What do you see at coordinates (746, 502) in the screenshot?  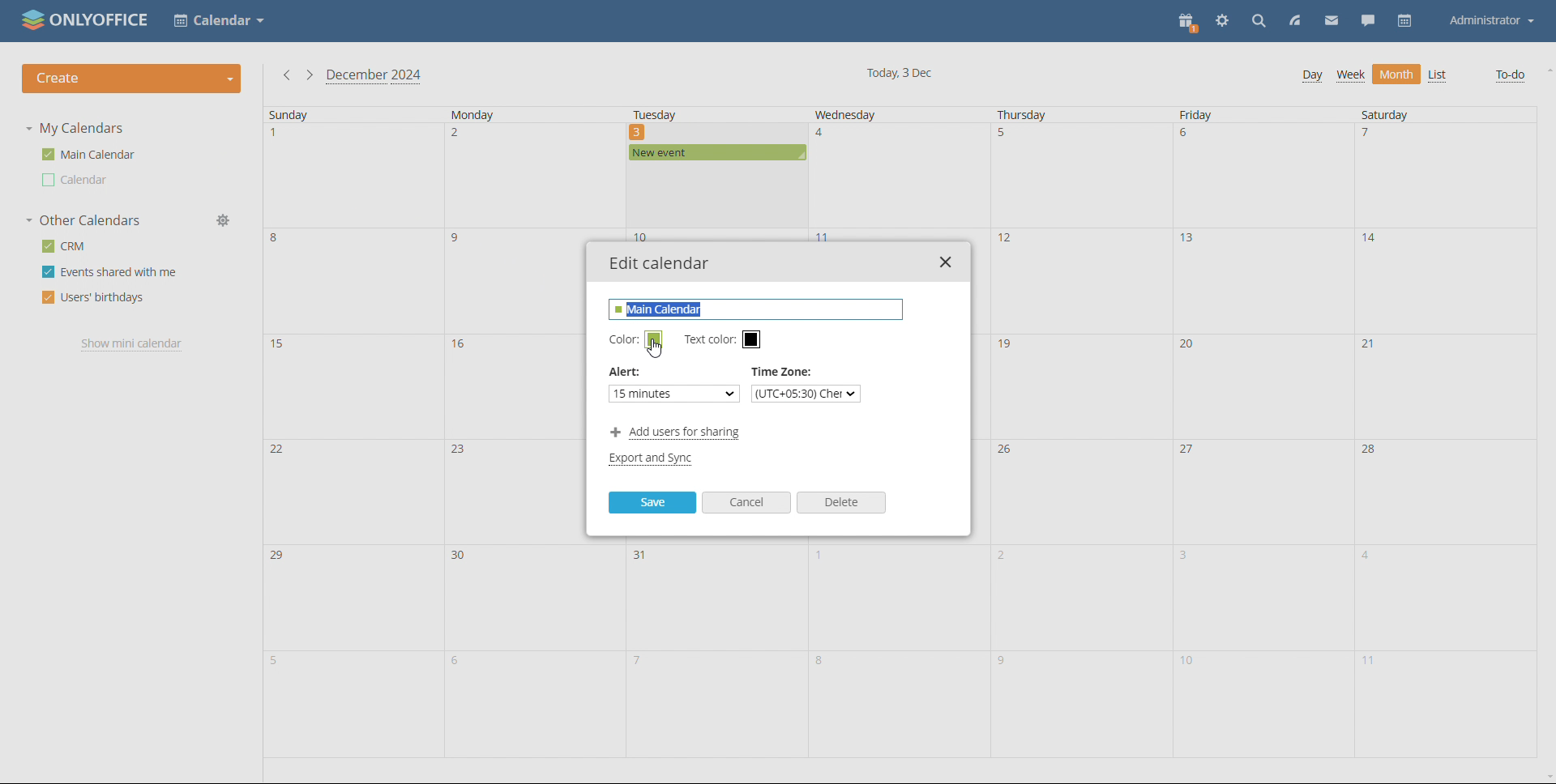 I see `cancel` at bounding box center [746, 502].